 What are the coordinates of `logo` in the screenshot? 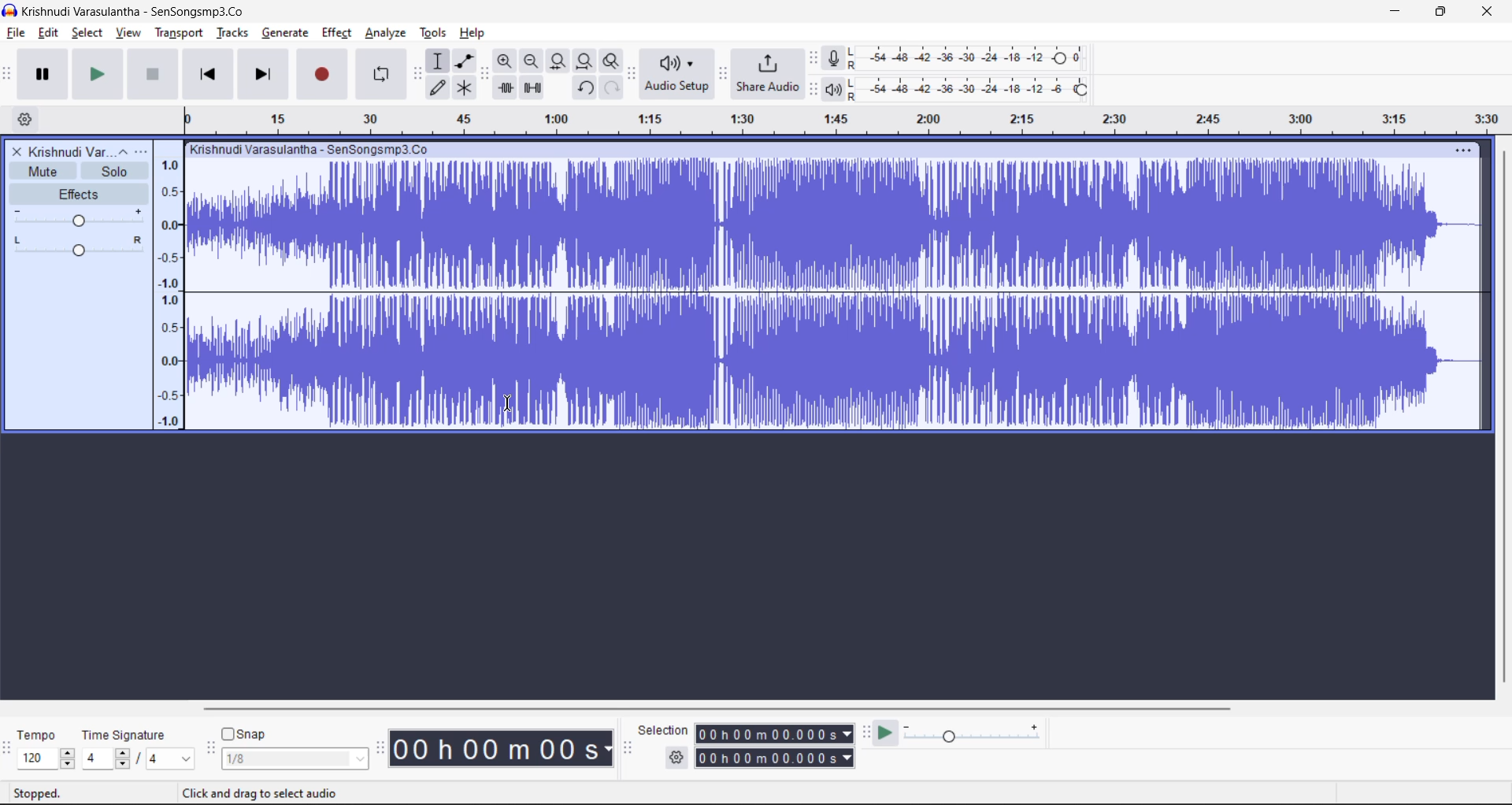 It's located at (9, 12).